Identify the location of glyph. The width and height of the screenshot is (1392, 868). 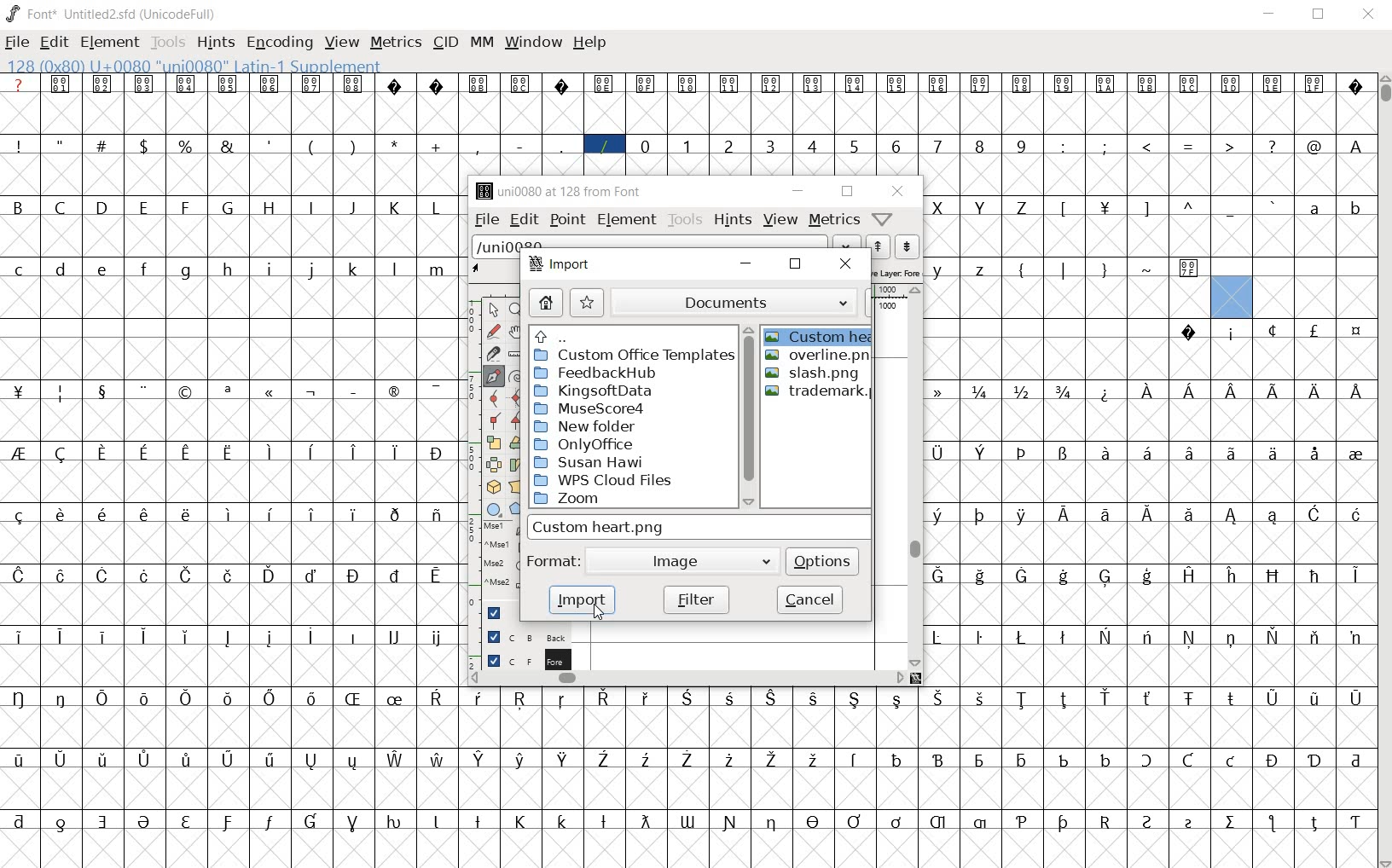
(1105, 209).